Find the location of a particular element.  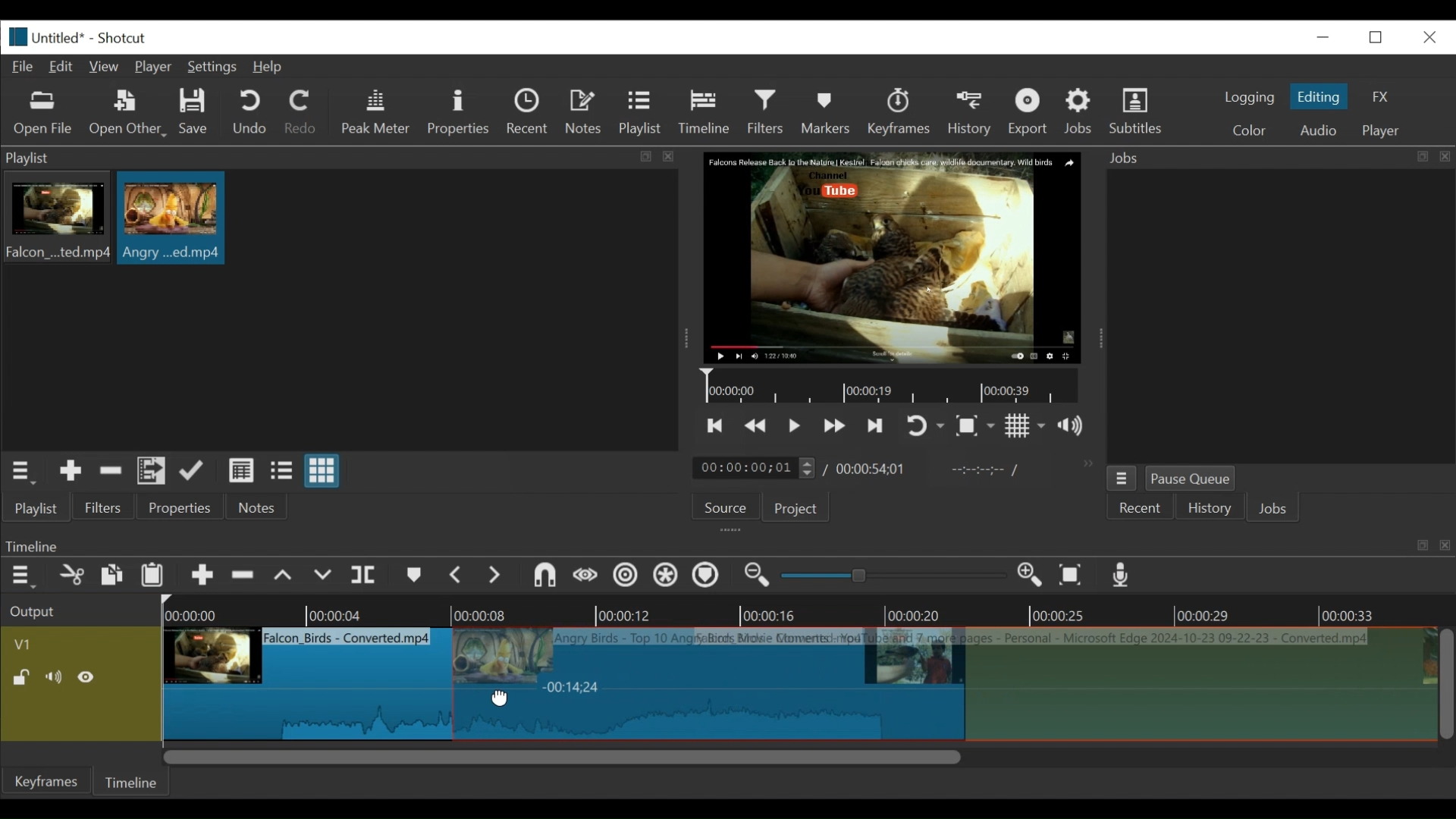

Timeline Panel is located at coordinates (726, 545).